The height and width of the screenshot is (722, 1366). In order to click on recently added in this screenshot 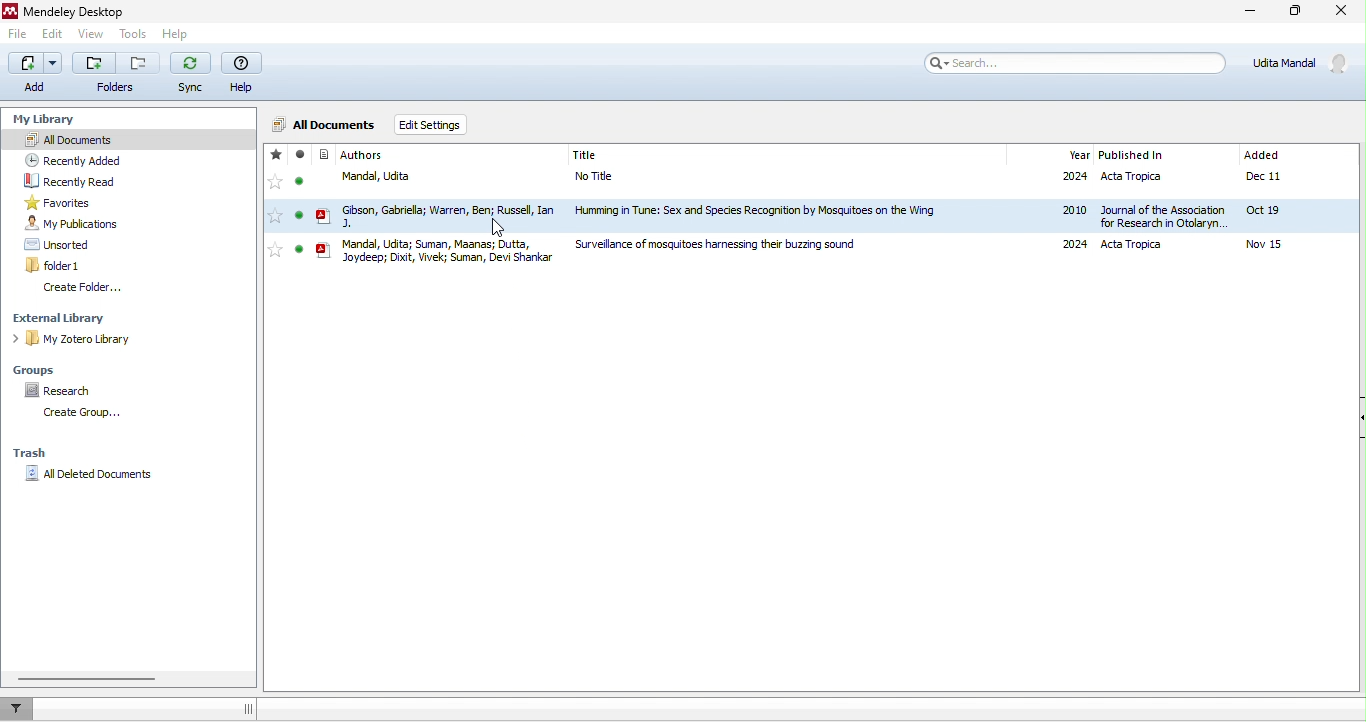, I will do `click(84, 161)`.